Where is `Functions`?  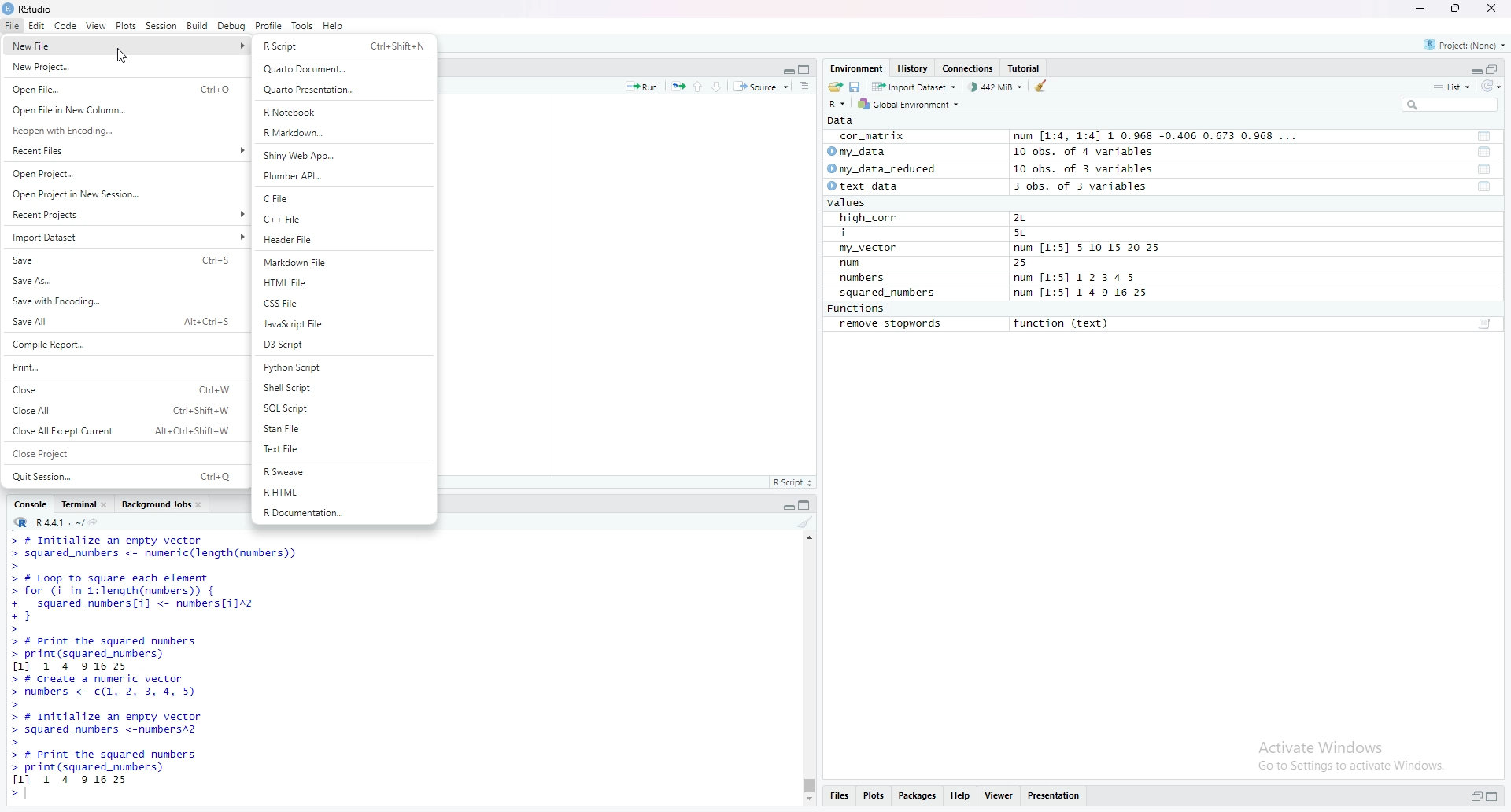
Functions is located at coordinates (856, 308).